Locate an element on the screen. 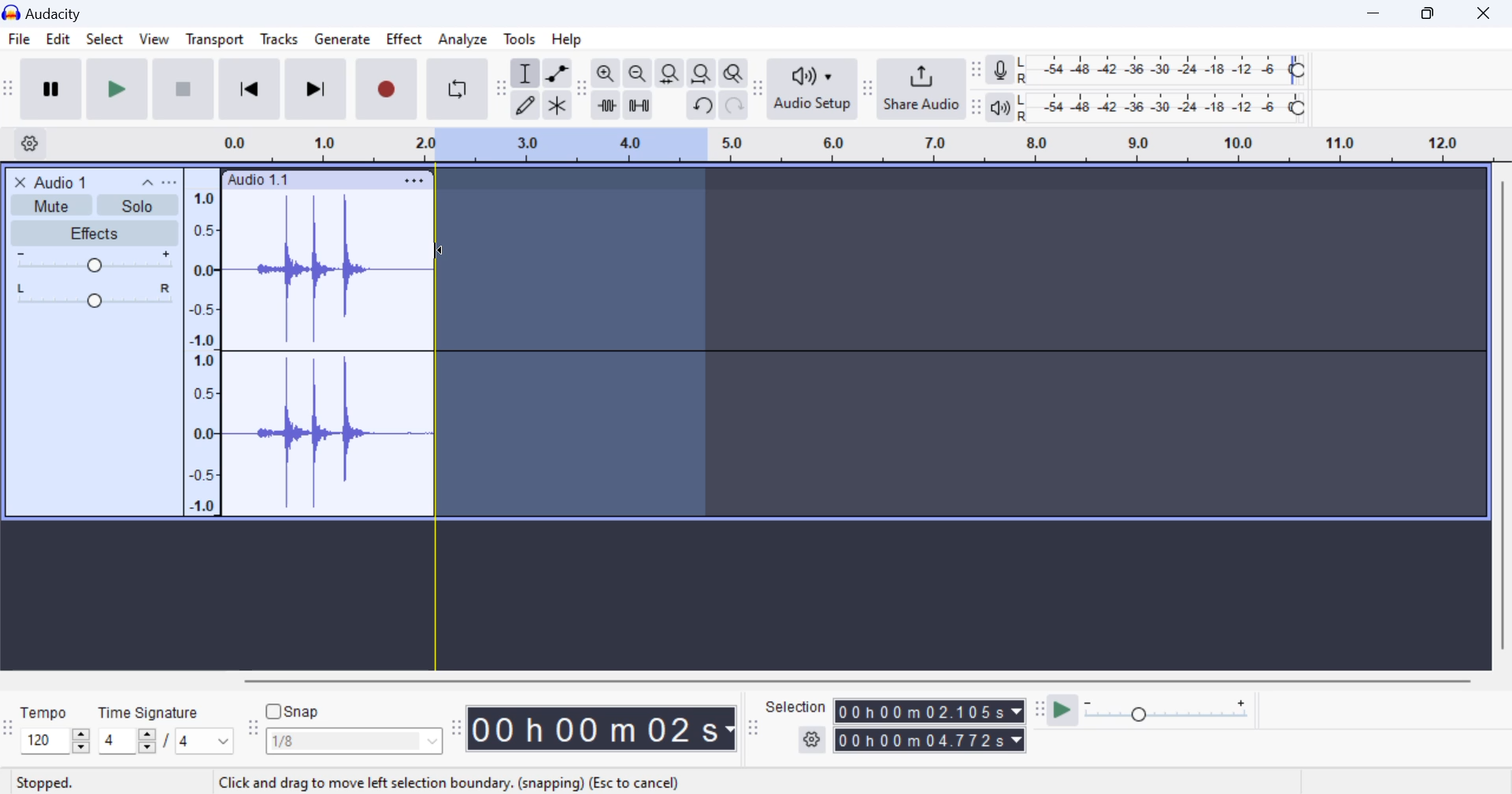 Image resolution: width=1512 pixels, height=794 pixels. Audio Clip is located at coordinates (327, 354).